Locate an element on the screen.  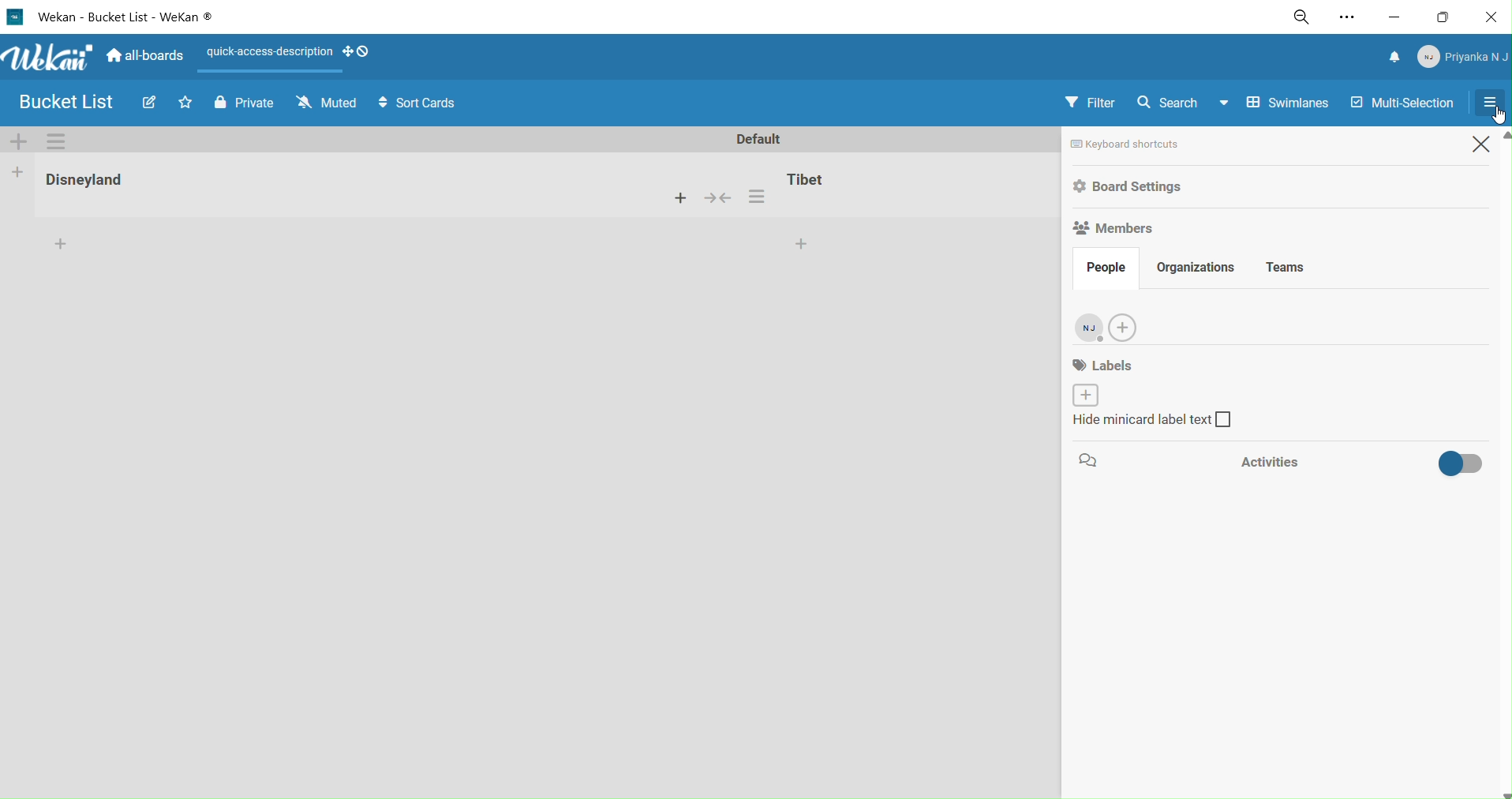
maximize is located at coordinates (1442, 17).